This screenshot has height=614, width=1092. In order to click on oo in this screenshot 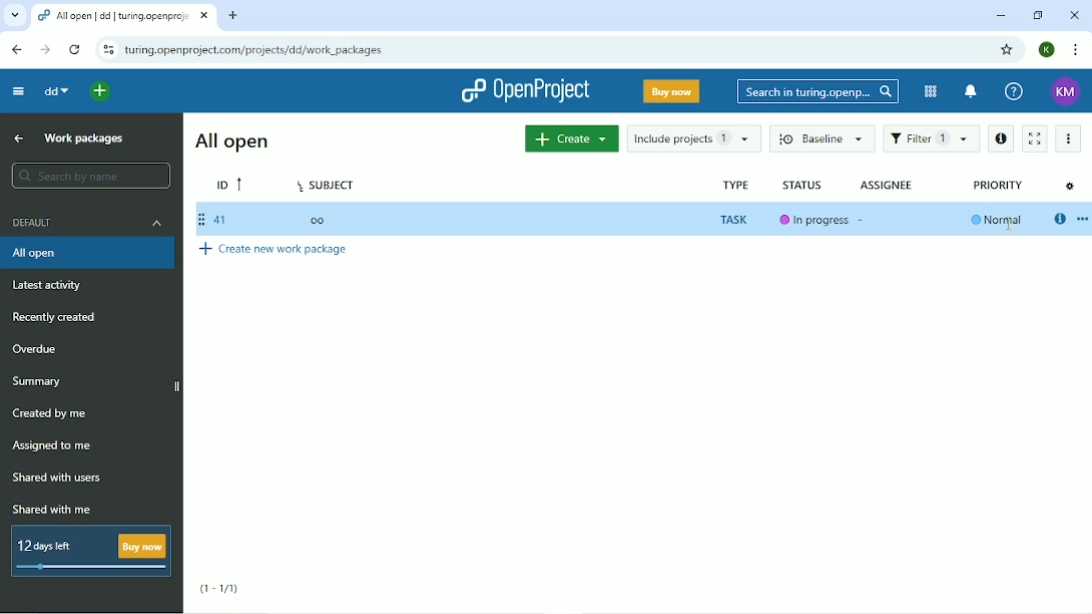, I will do `click(324, 219)`.